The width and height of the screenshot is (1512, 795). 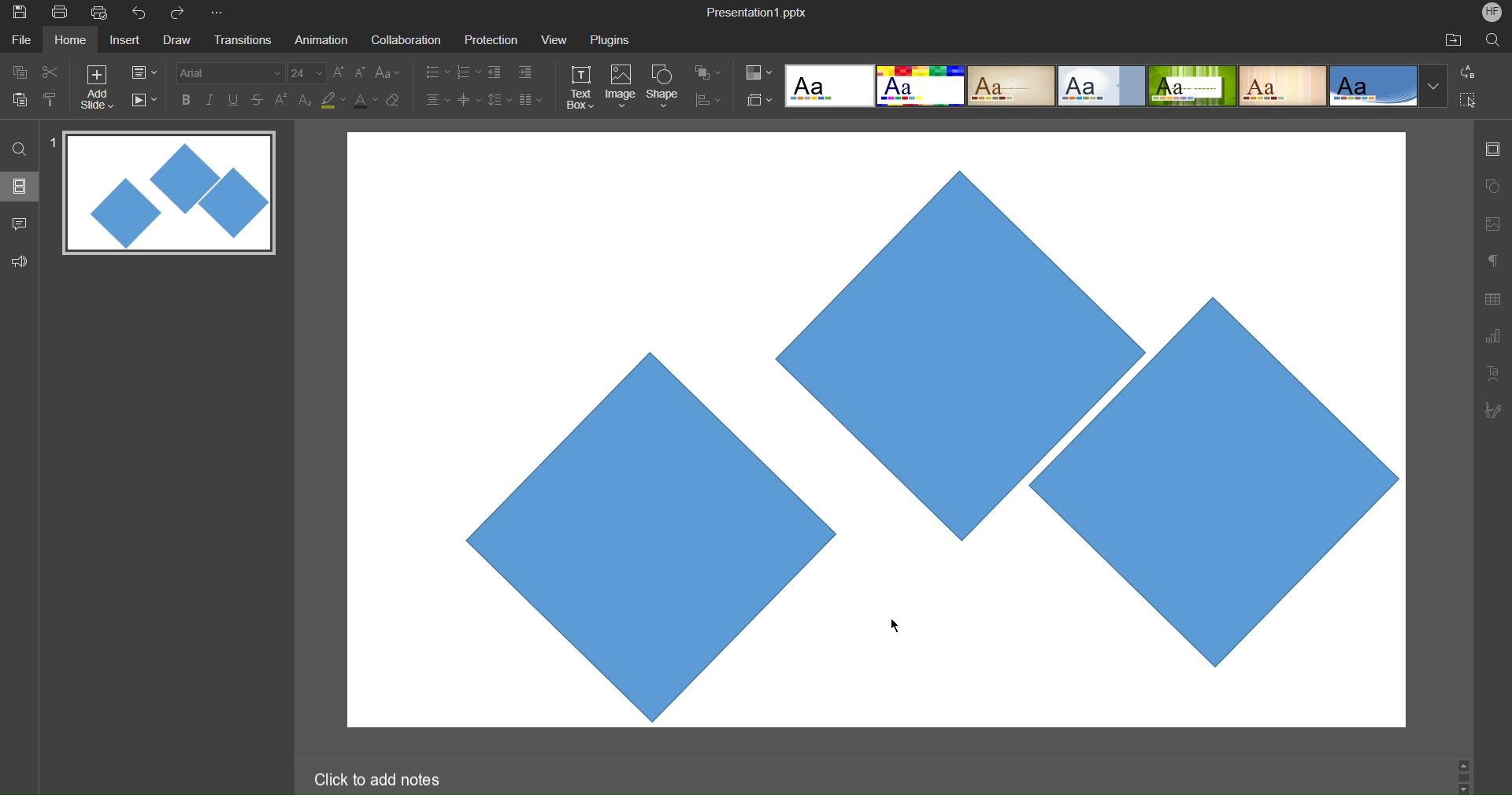 What do you see at coordinates (759, 11) in the screenshot?
I see `Presentation Title` at bounding box center [759, 11].